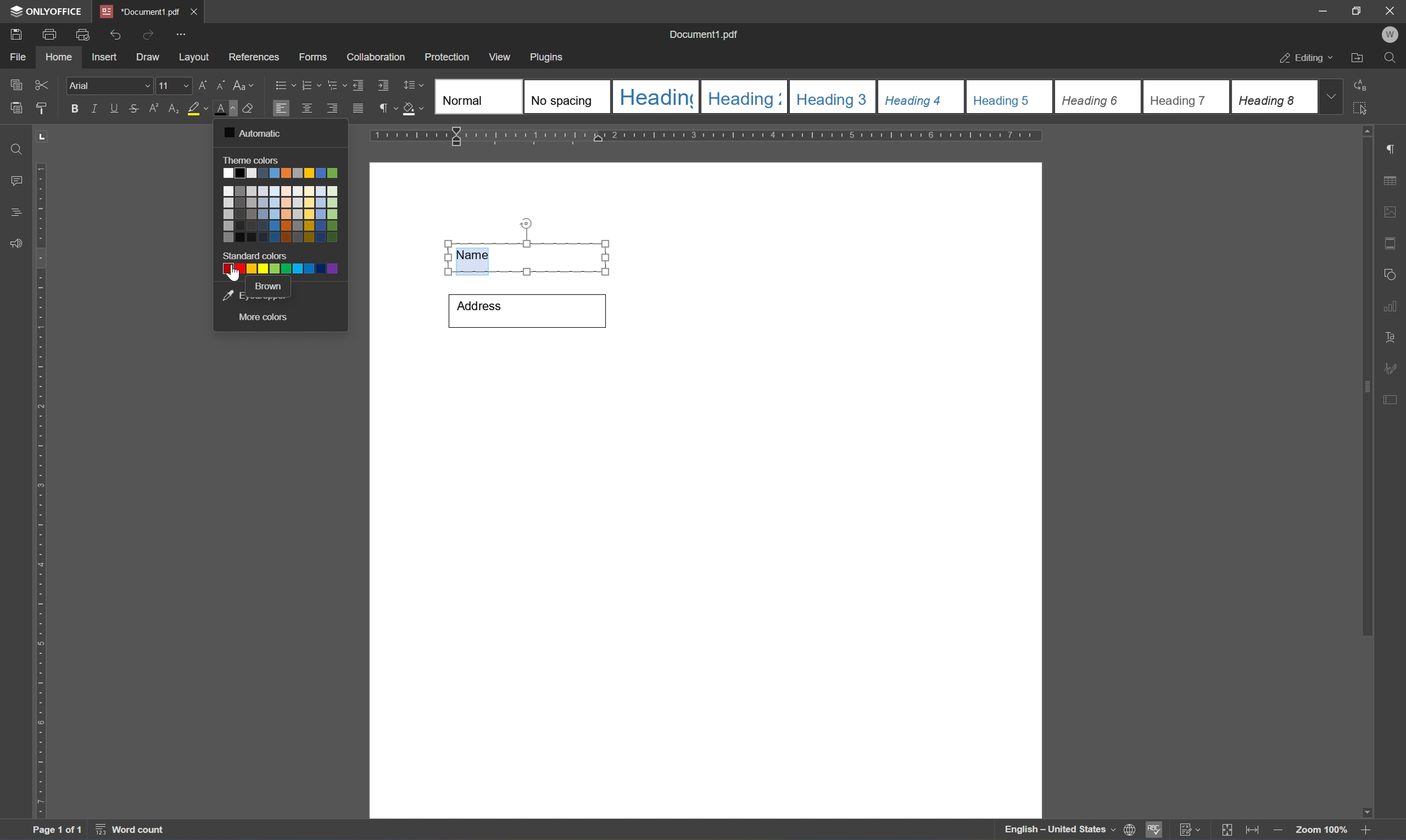 This screenshot has width=1406, height=840. I want to click on open file location, so click(1357, 58).